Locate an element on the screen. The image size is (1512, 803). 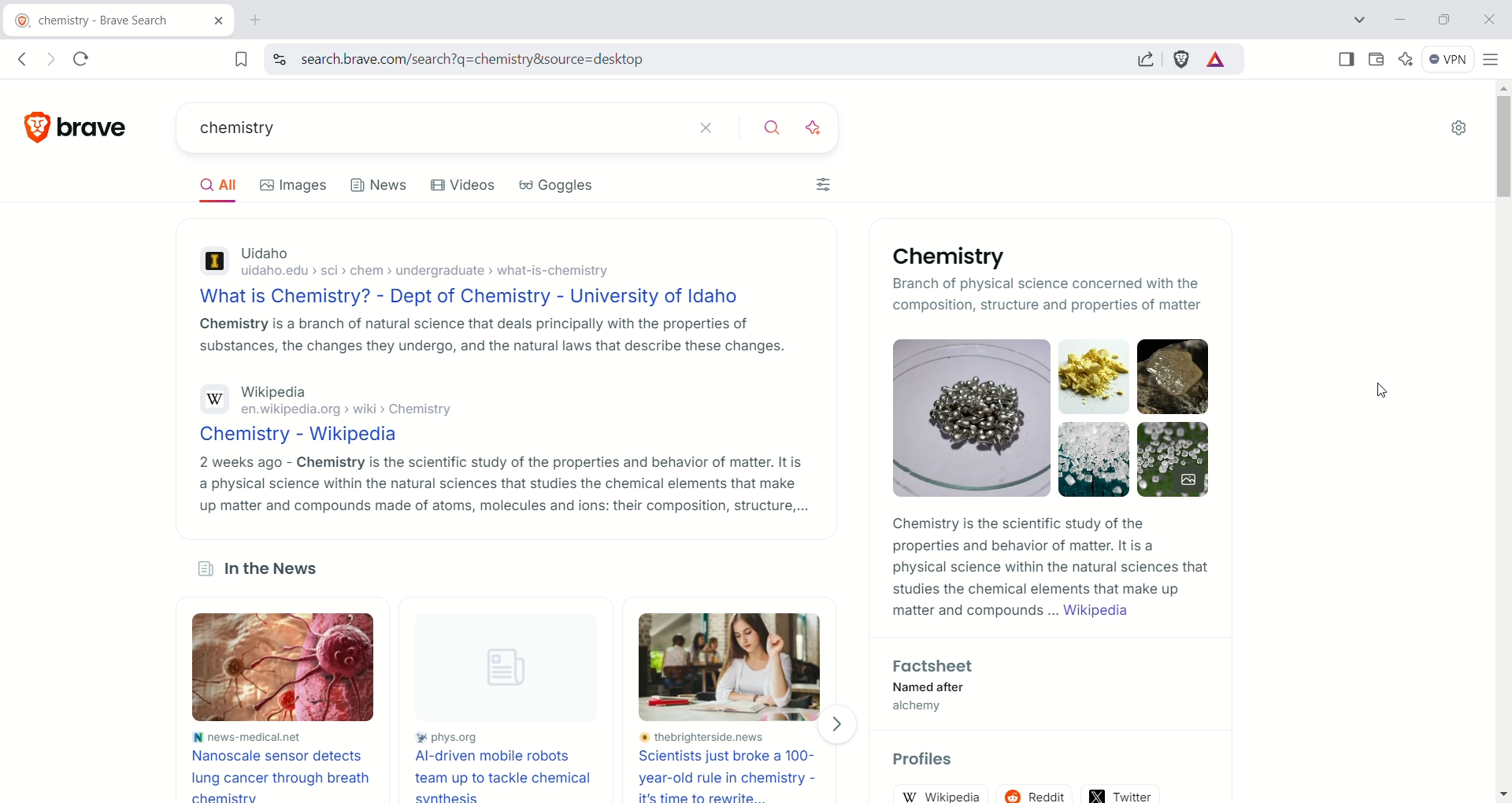
Images is located at coordinates (301, 185).